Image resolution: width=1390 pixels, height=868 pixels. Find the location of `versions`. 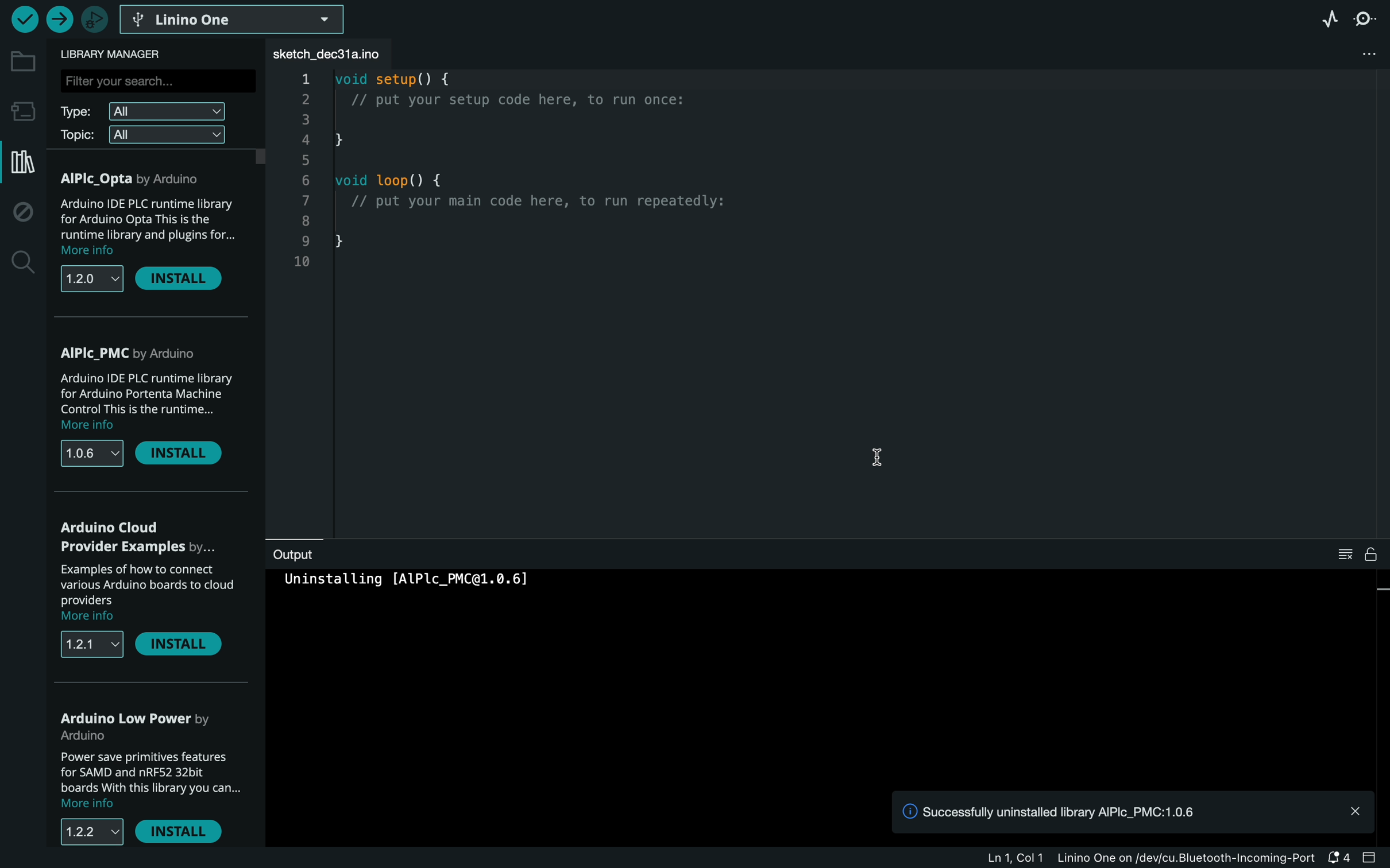

versions is located at coordinates (92, 648).